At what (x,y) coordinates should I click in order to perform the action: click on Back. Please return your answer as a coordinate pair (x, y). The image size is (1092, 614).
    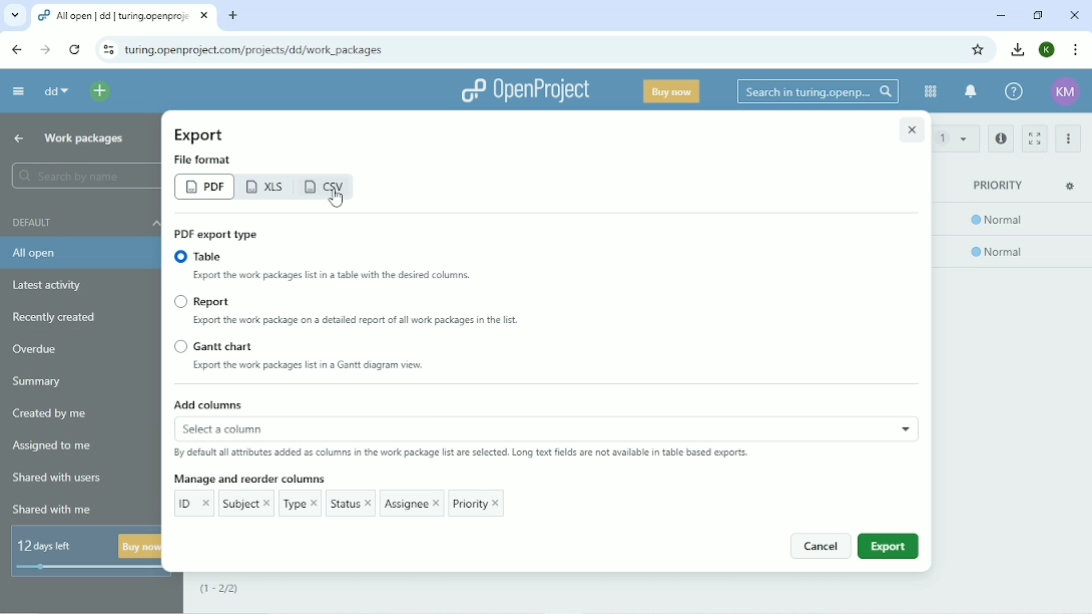
    Looking at the image, I should click on (16, 50).